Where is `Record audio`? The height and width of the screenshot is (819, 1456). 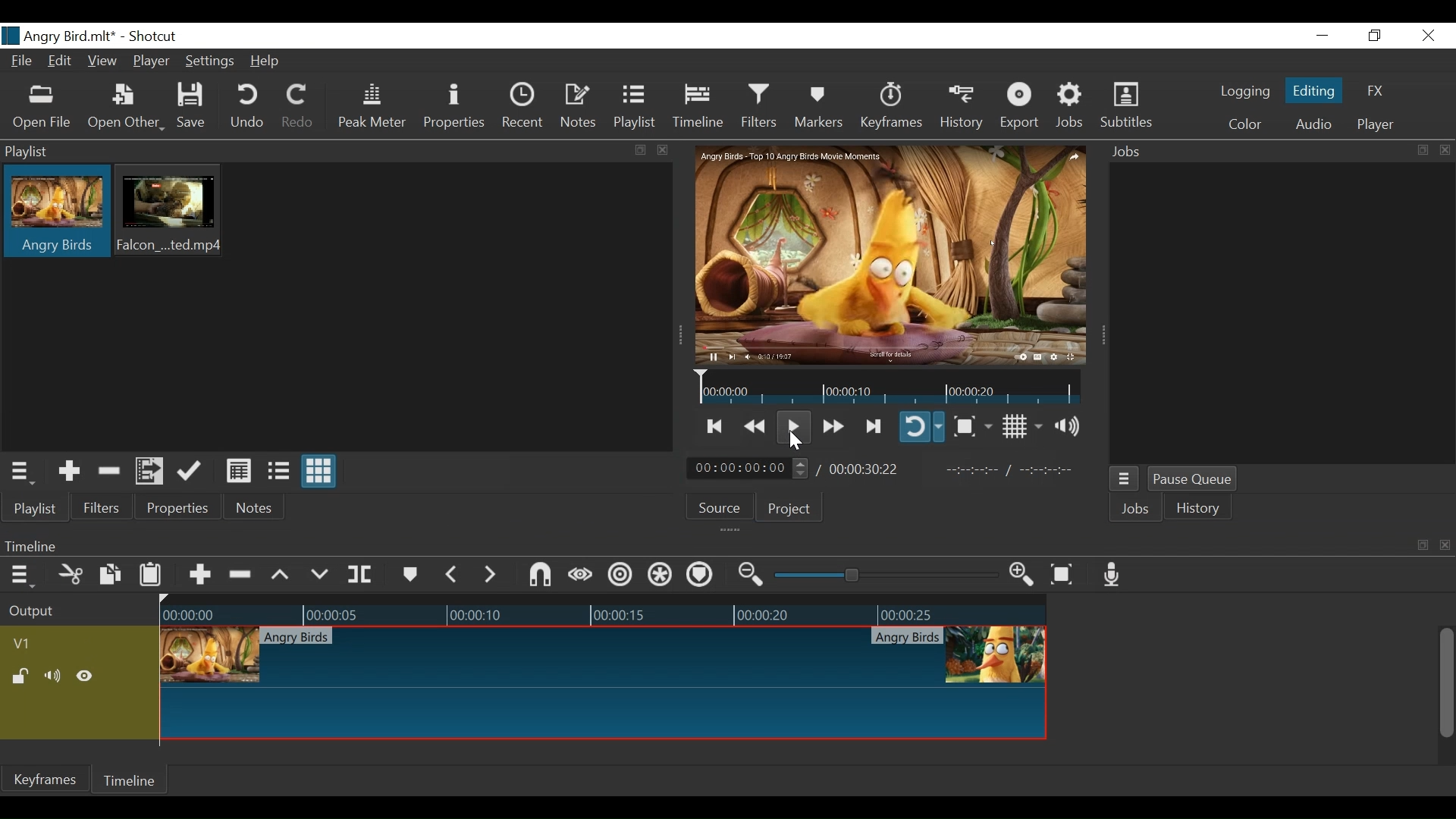 Record audio is located at coordinates (1112, 576).